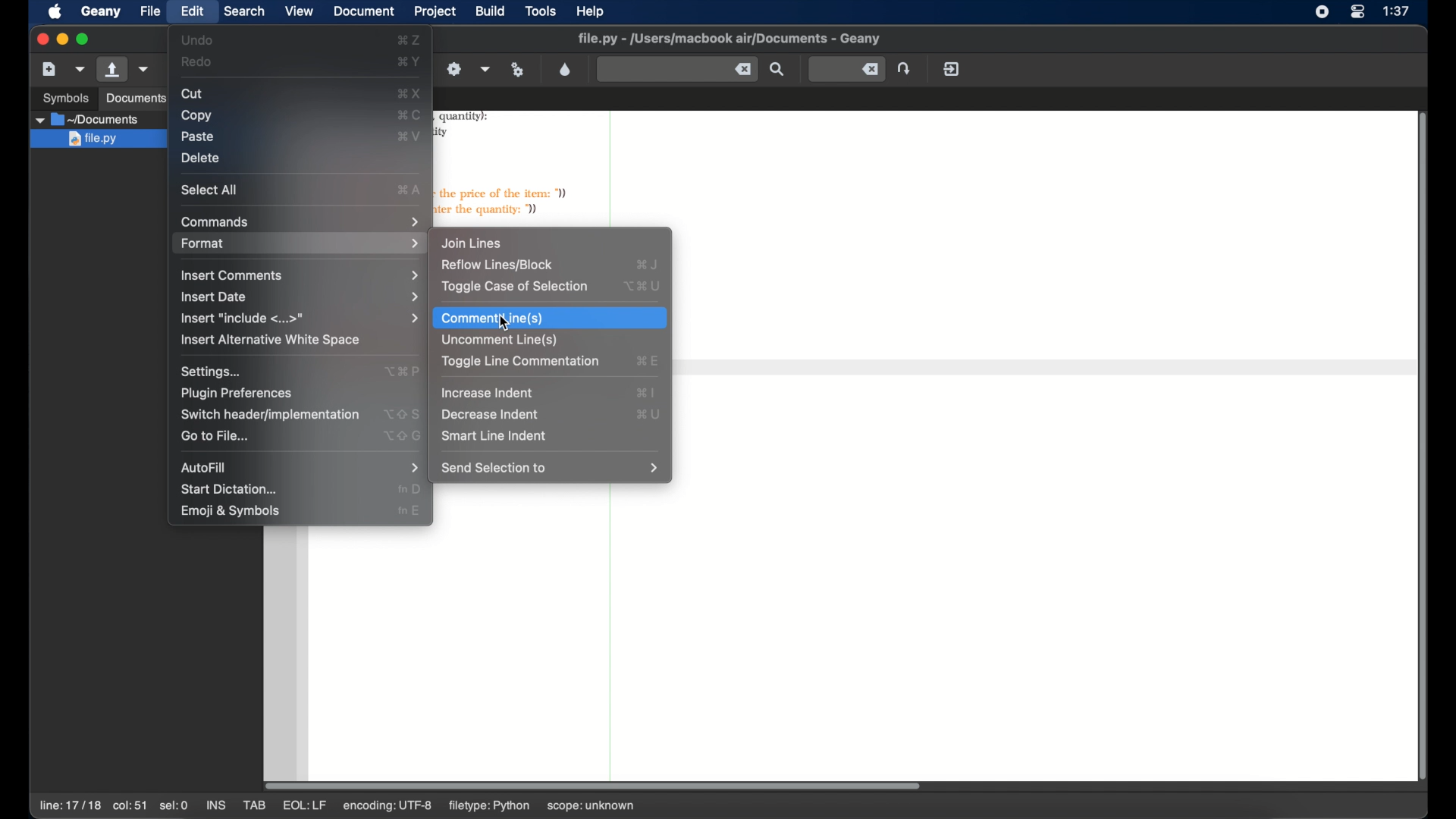 The image size is (1456, 819). What do you see at coordinates (565, 69) in the screenshot?
I see `color chooser dialog` at bounding box center [565, 69].